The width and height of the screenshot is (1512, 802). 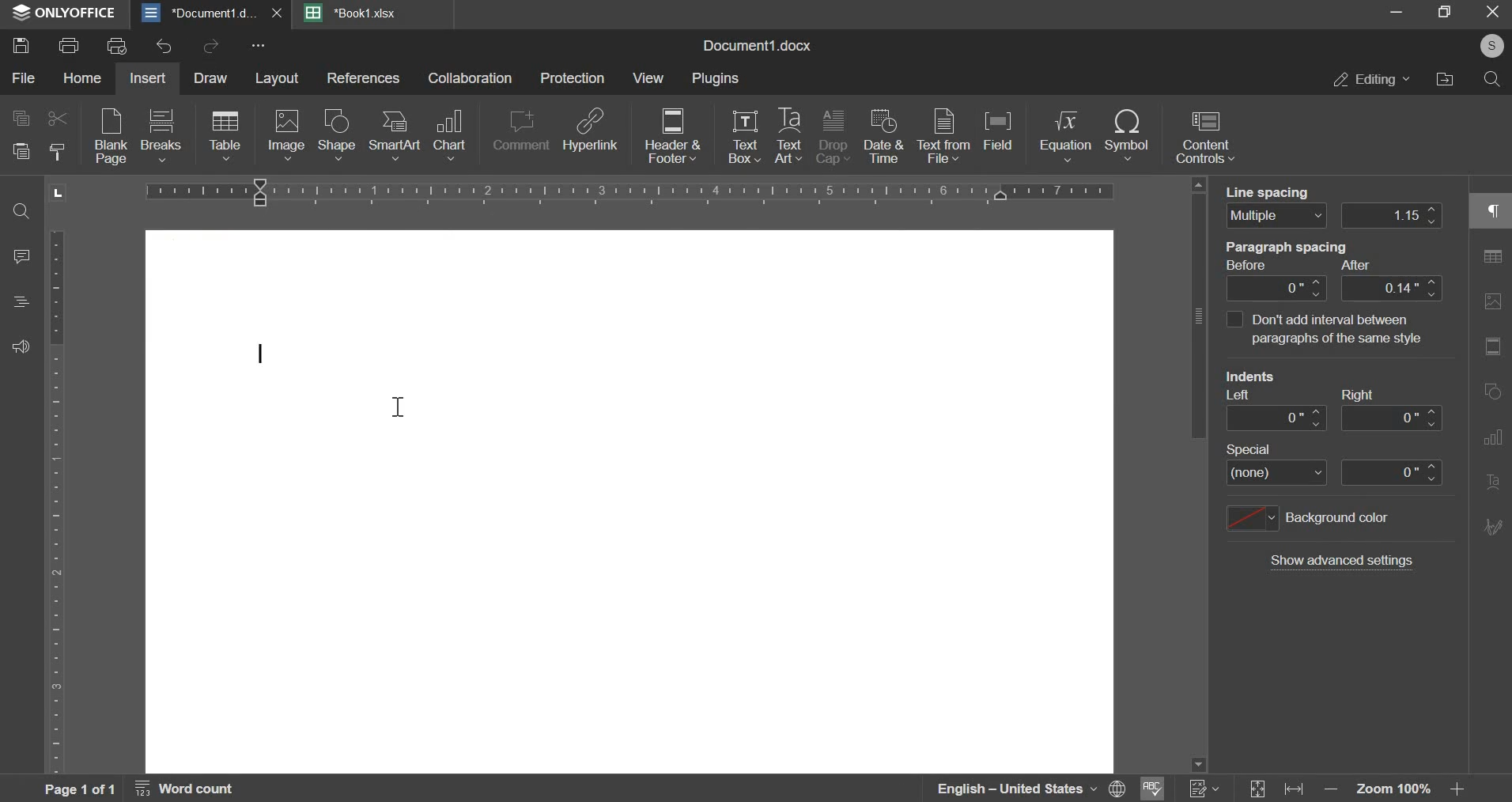 I want to click on search, so click(x=1491, y=81).